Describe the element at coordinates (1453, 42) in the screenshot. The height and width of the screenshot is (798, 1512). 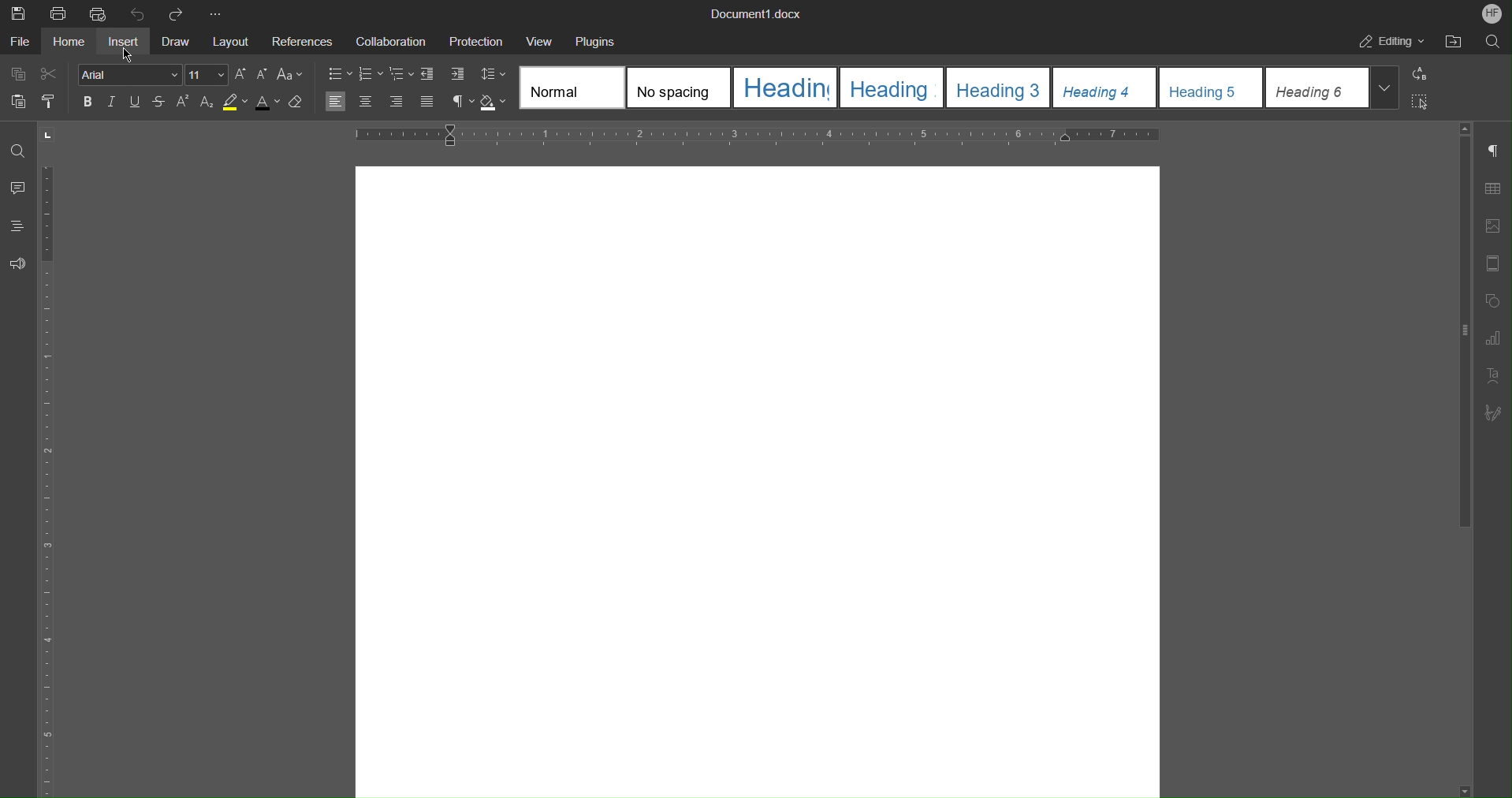
I see `Open File Location` at that location.